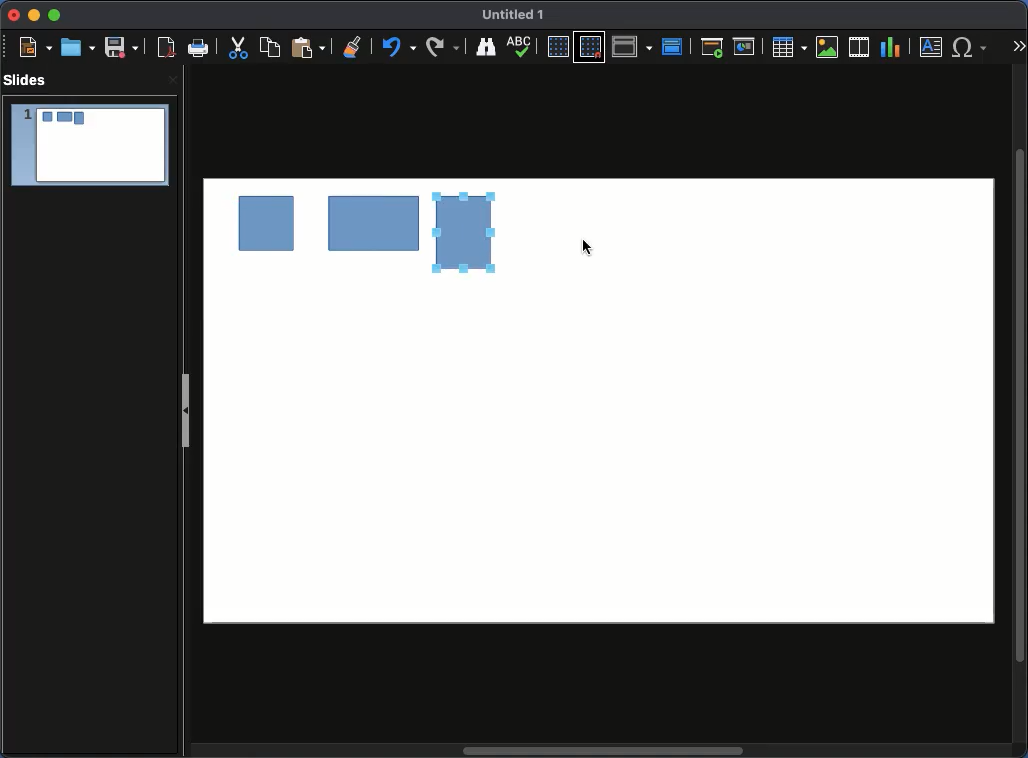 This screenshot has width=1028, height=758. Describe the element at coordinates (711, 49) in the screenshot. I see `Start from first slide` at that location.